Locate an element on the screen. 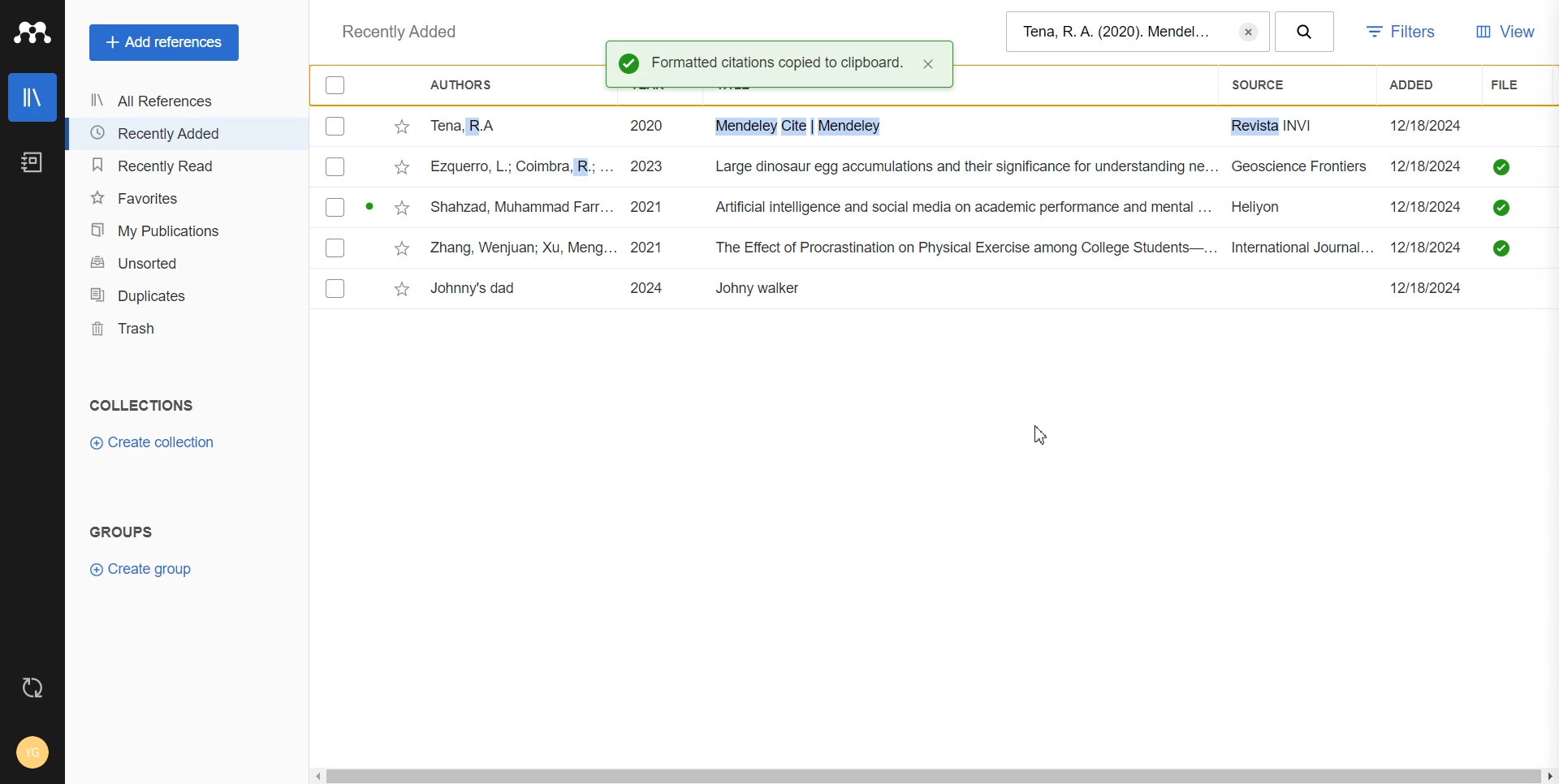 The width and height of the screenshot is (1559, 784). GROUPS is located at coordinates (122, 531).